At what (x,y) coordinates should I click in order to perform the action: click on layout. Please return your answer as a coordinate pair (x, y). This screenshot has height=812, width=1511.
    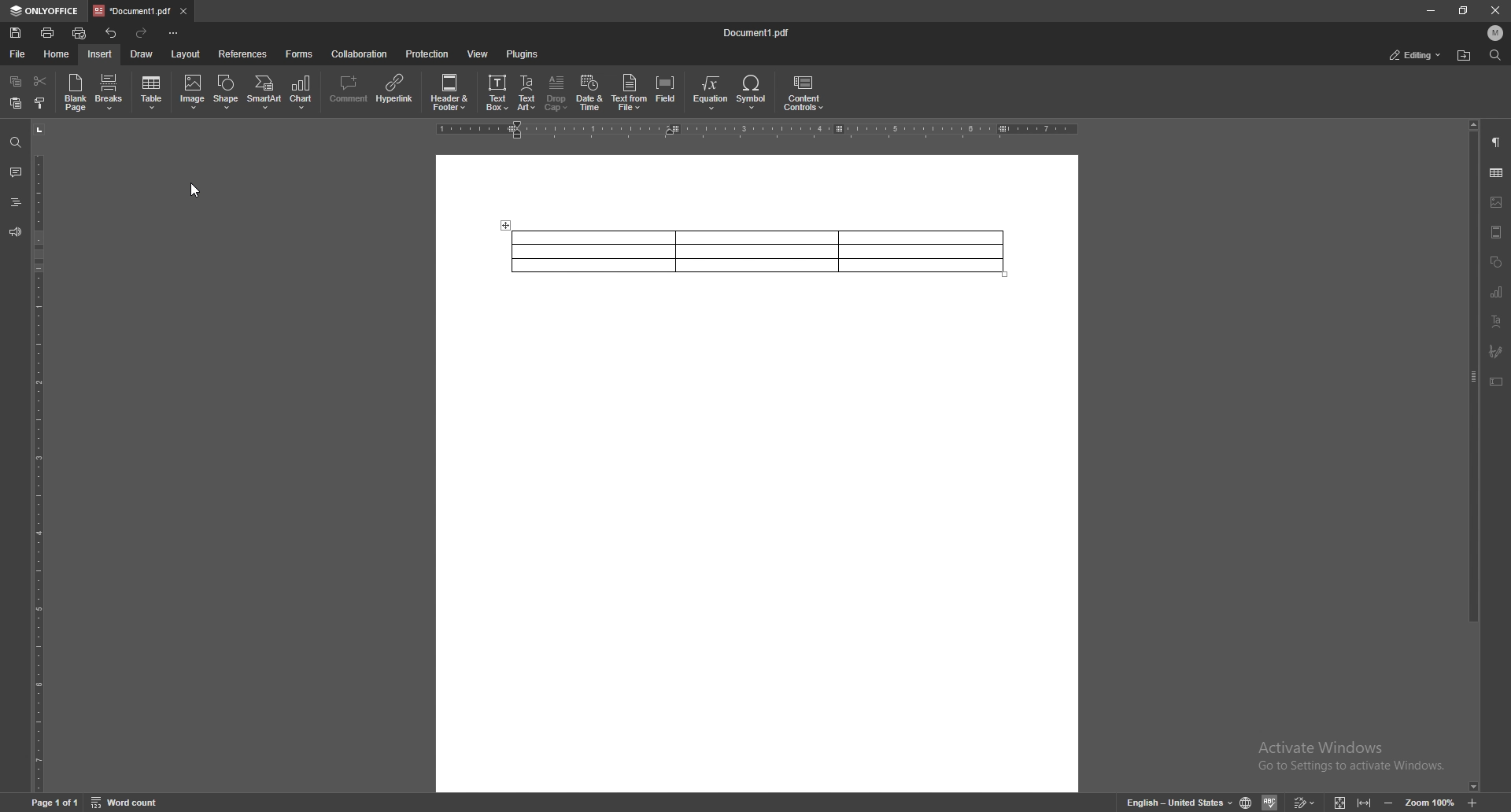
    Looking at the image, I should click on (186, 54).